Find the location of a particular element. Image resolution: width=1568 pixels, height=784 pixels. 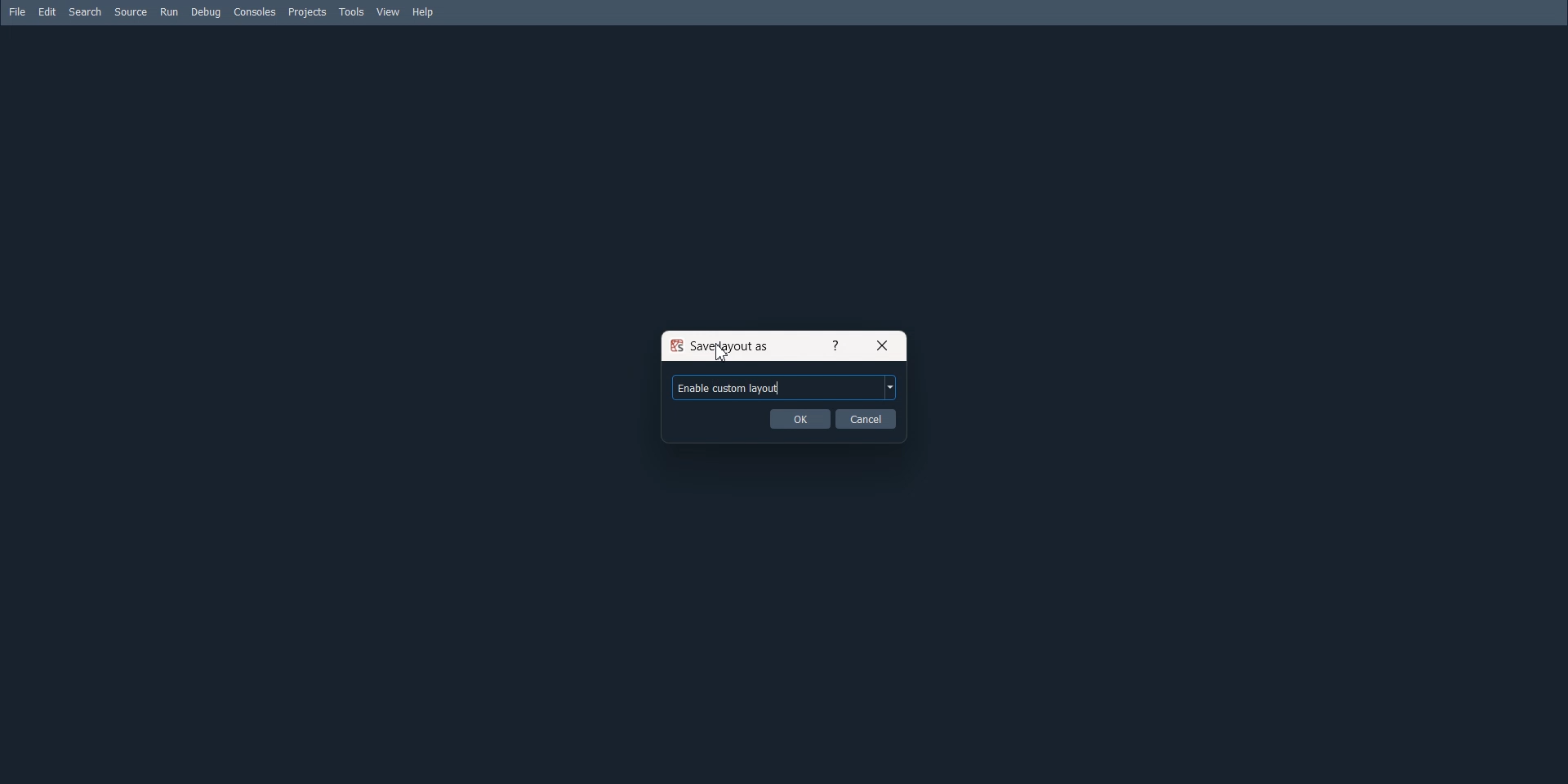

Cursor is located at coordinates (724, 353).